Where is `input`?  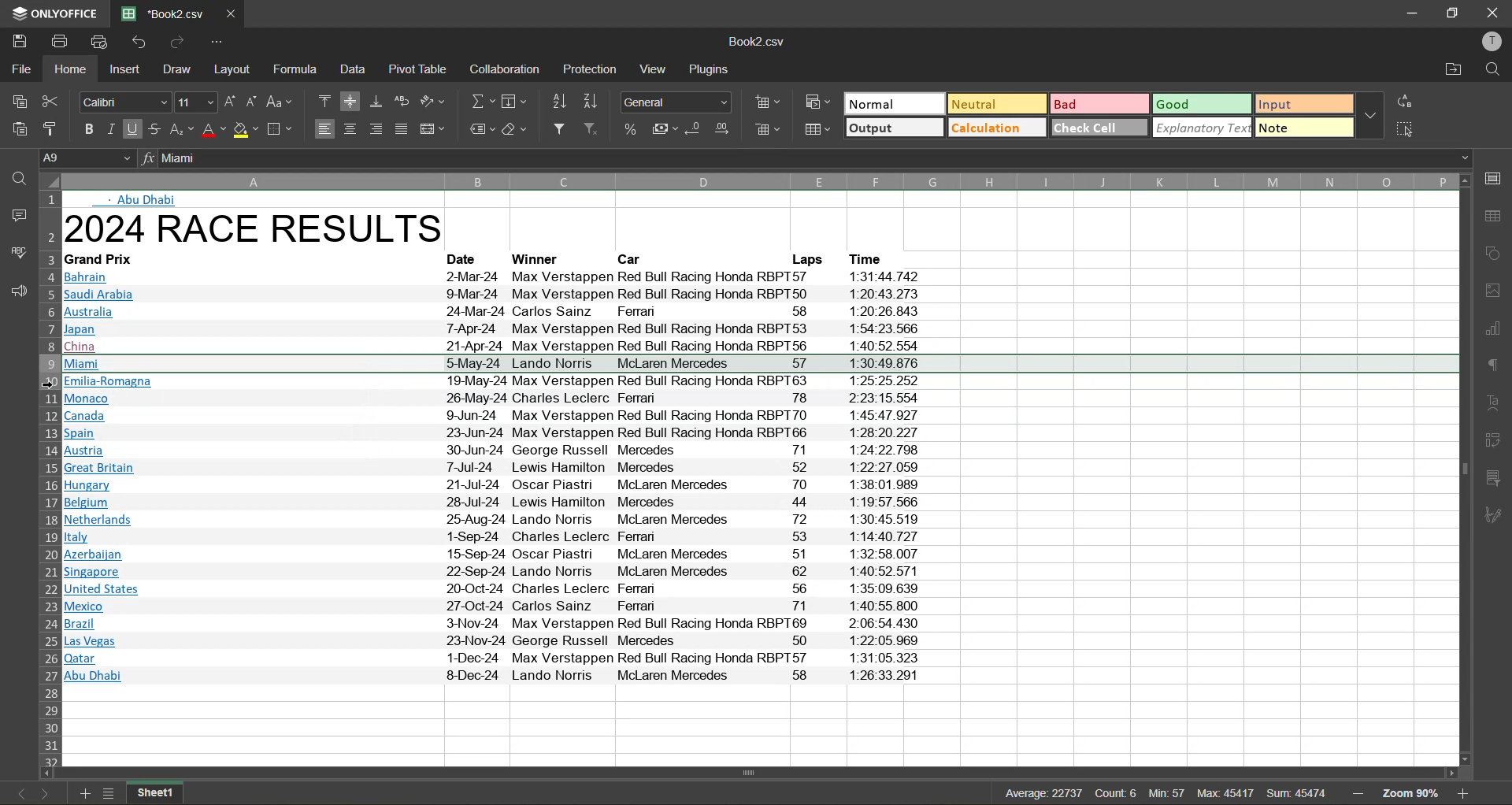 input is located at coordinates (1303, 105).